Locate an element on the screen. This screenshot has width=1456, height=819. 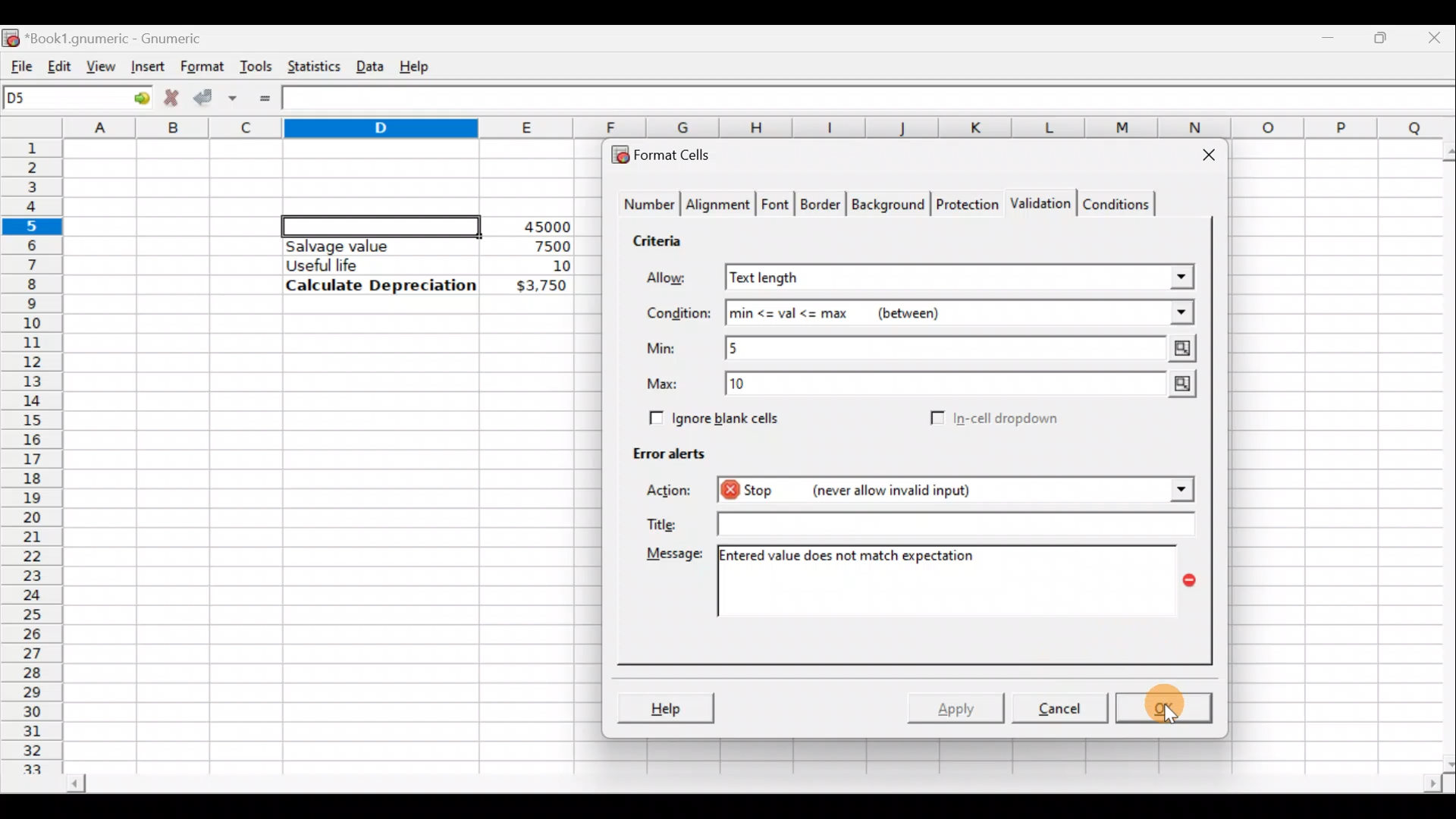
Stop (never allow invalid input) action selected is located at coordinates (924, 492).